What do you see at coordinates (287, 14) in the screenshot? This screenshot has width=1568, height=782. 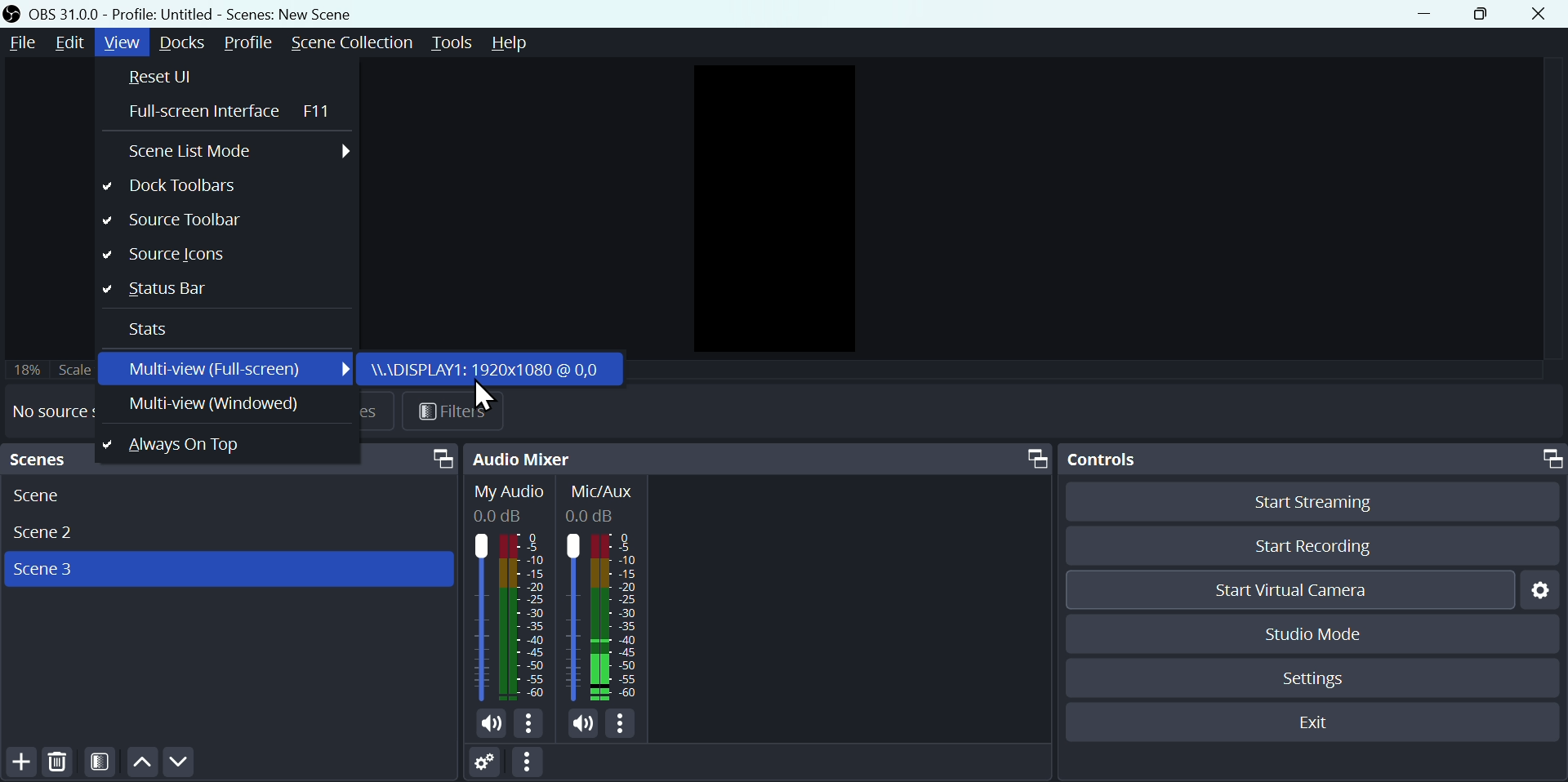 I see `Scenes Title` at bounding box center [287, 14].